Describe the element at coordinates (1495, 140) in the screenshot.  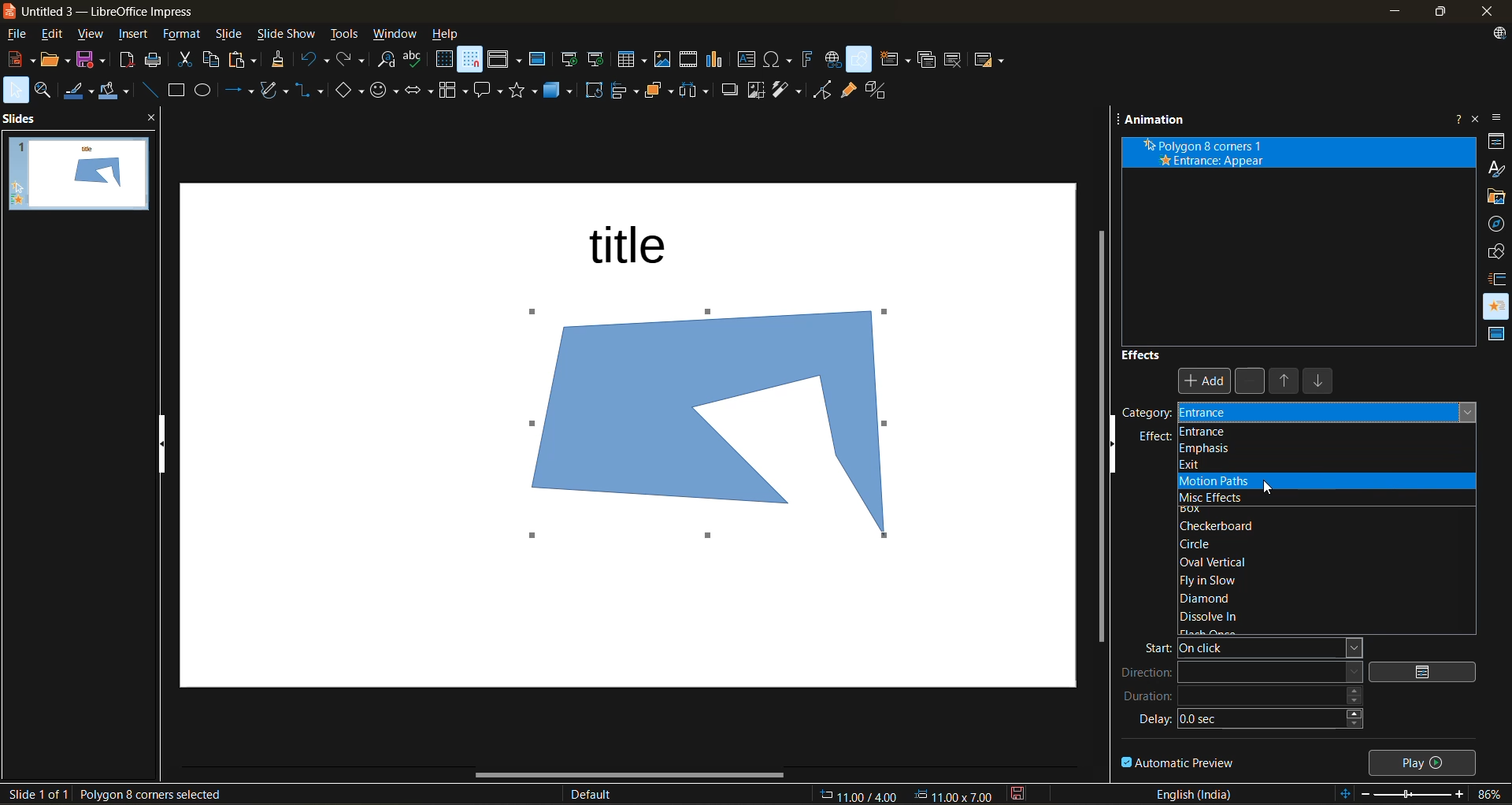
I see `properties` at that location.